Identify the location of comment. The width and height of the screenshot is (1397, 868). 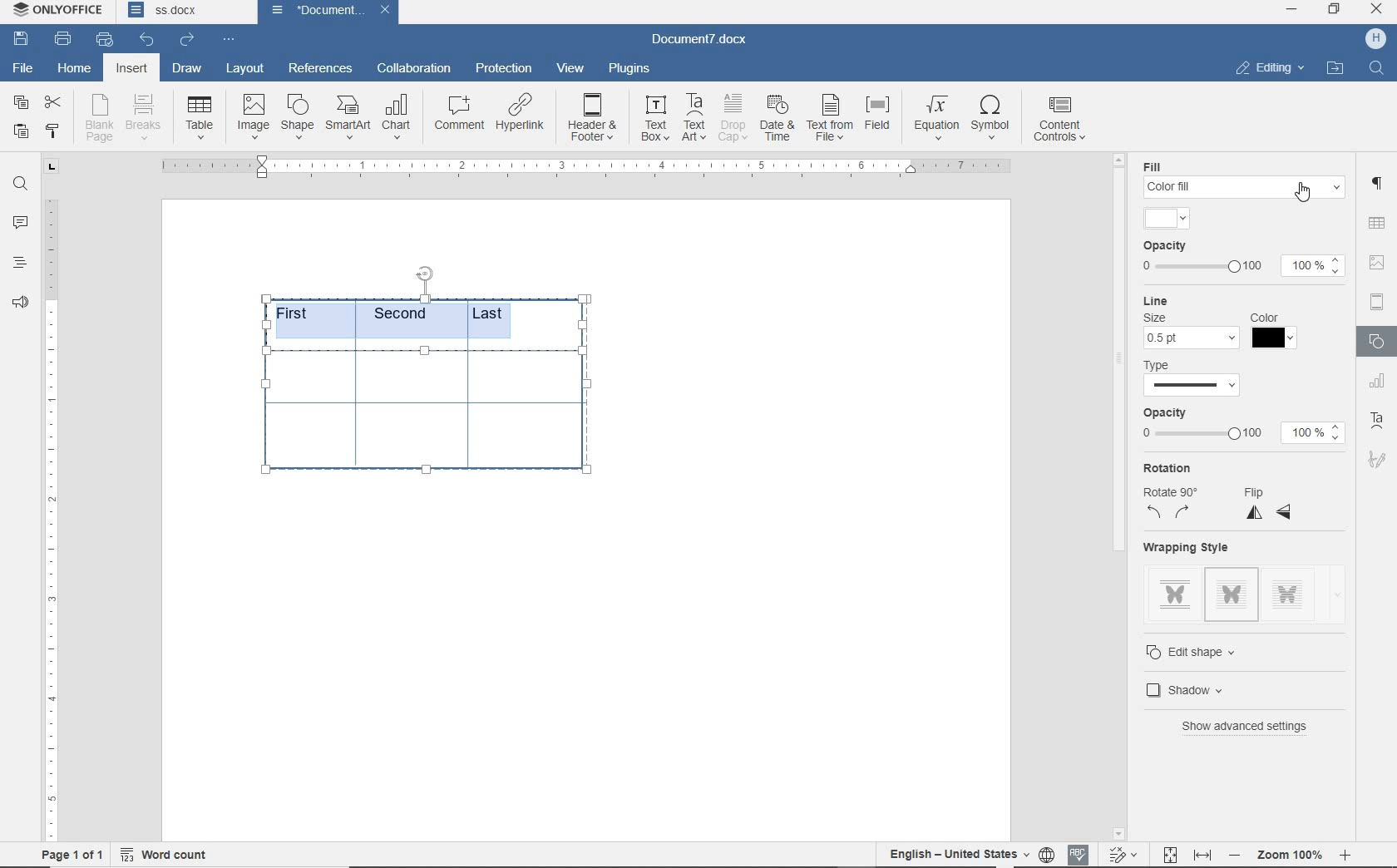
(458, 116).